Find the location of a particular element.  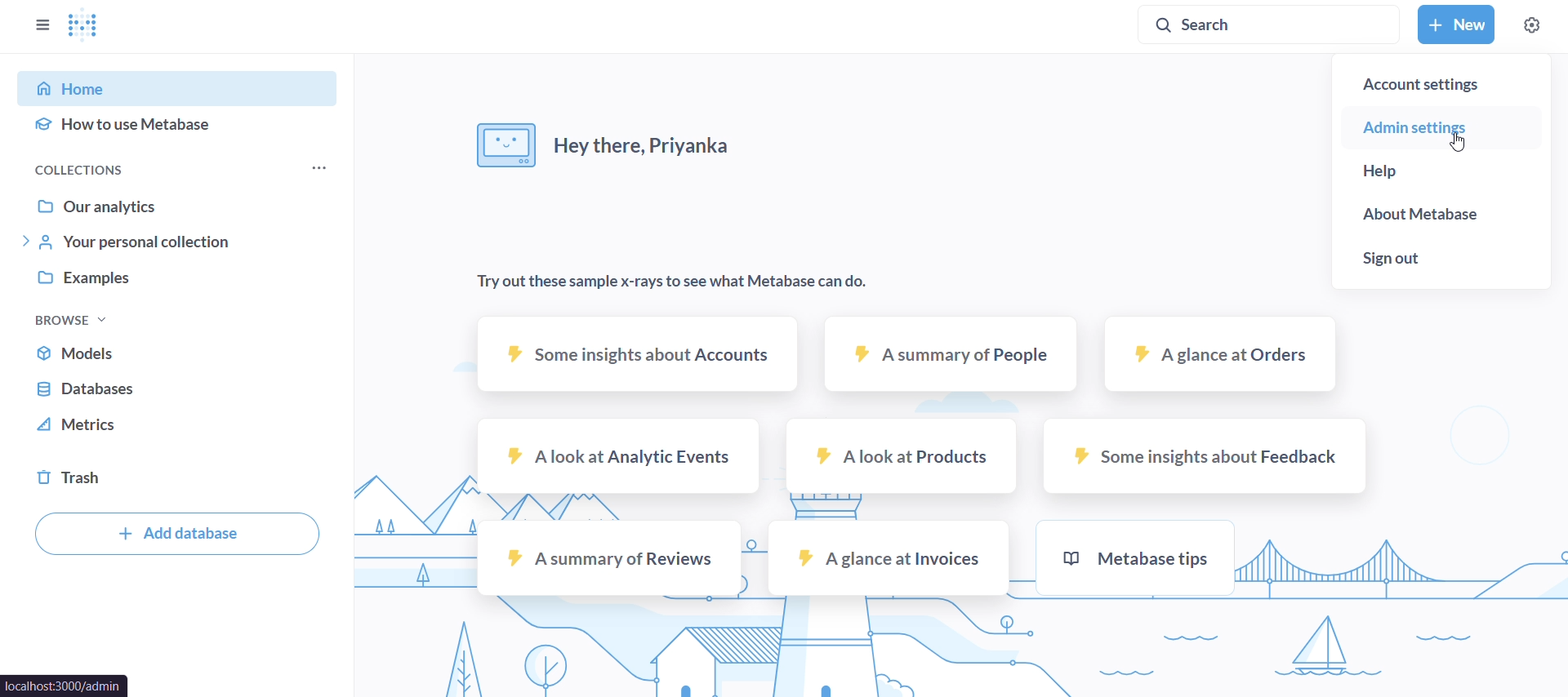

admin settings is located at coordinates (1439, 128).